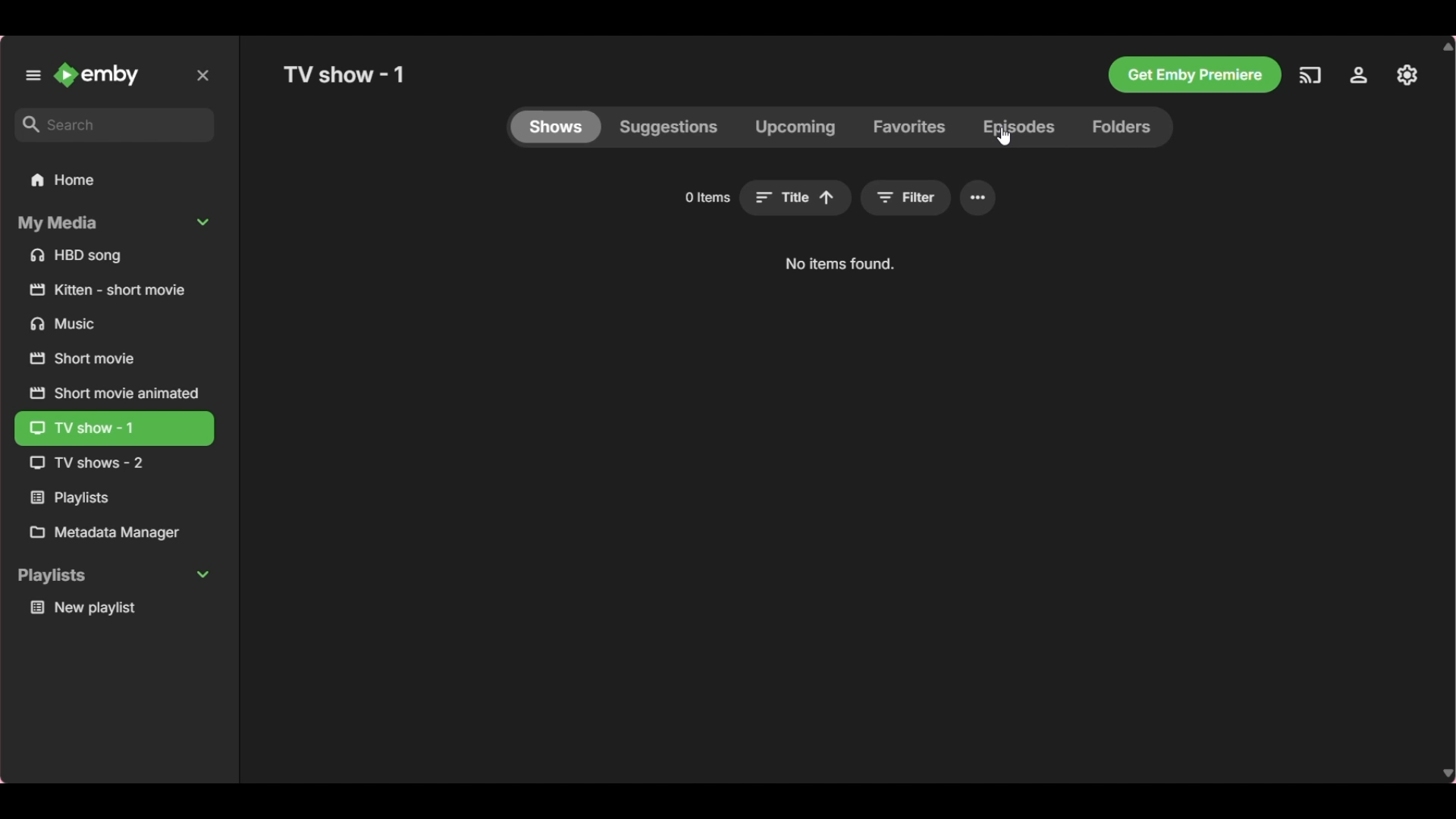 The image size is (1456, 819). What do you see at coordinates (795, 198) in the screenshot?
I see `Current sorting, click for more options` at bounding box center [795, 198].